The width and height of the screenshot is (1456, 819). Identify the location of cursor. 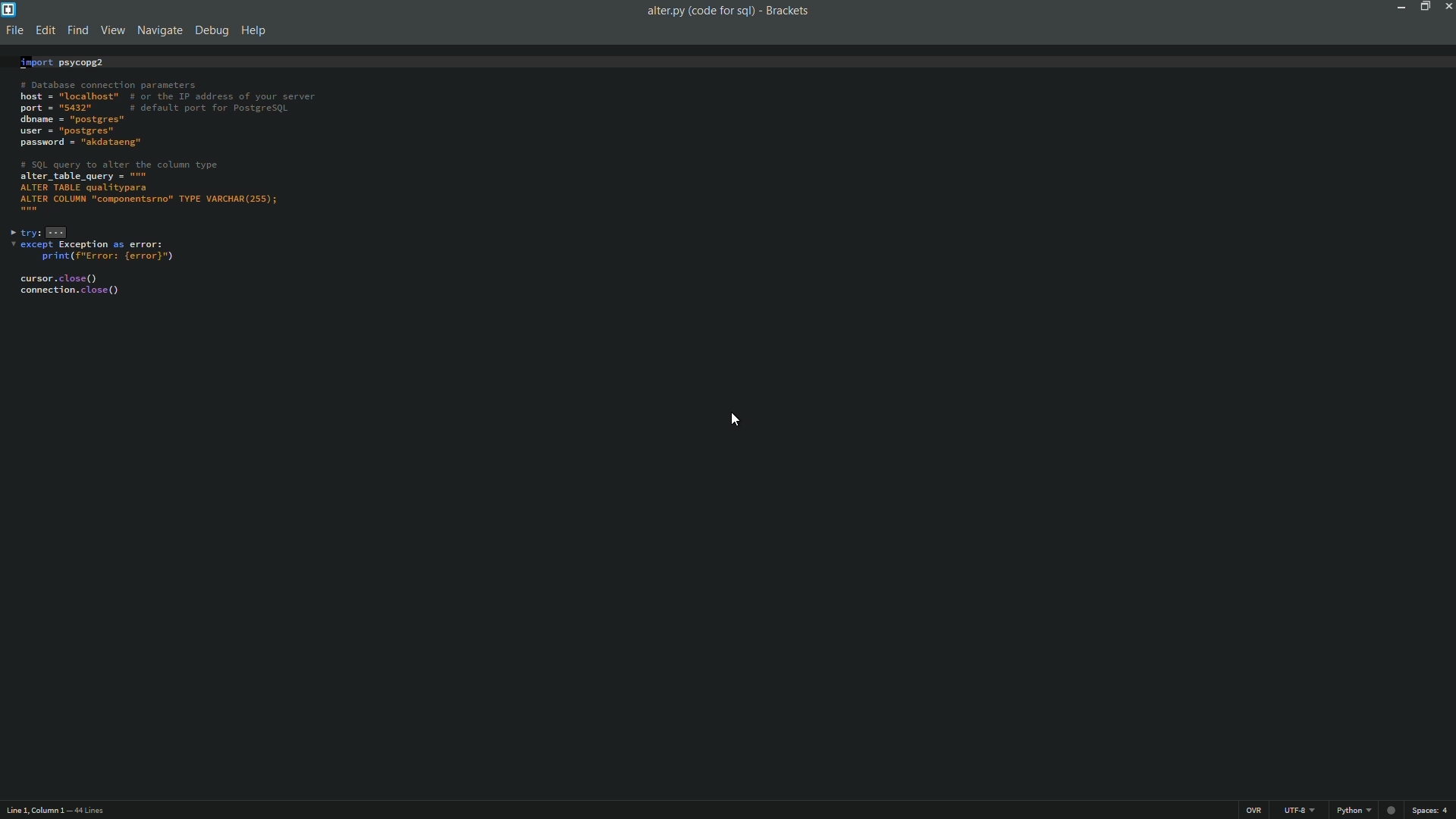
(736, 421).